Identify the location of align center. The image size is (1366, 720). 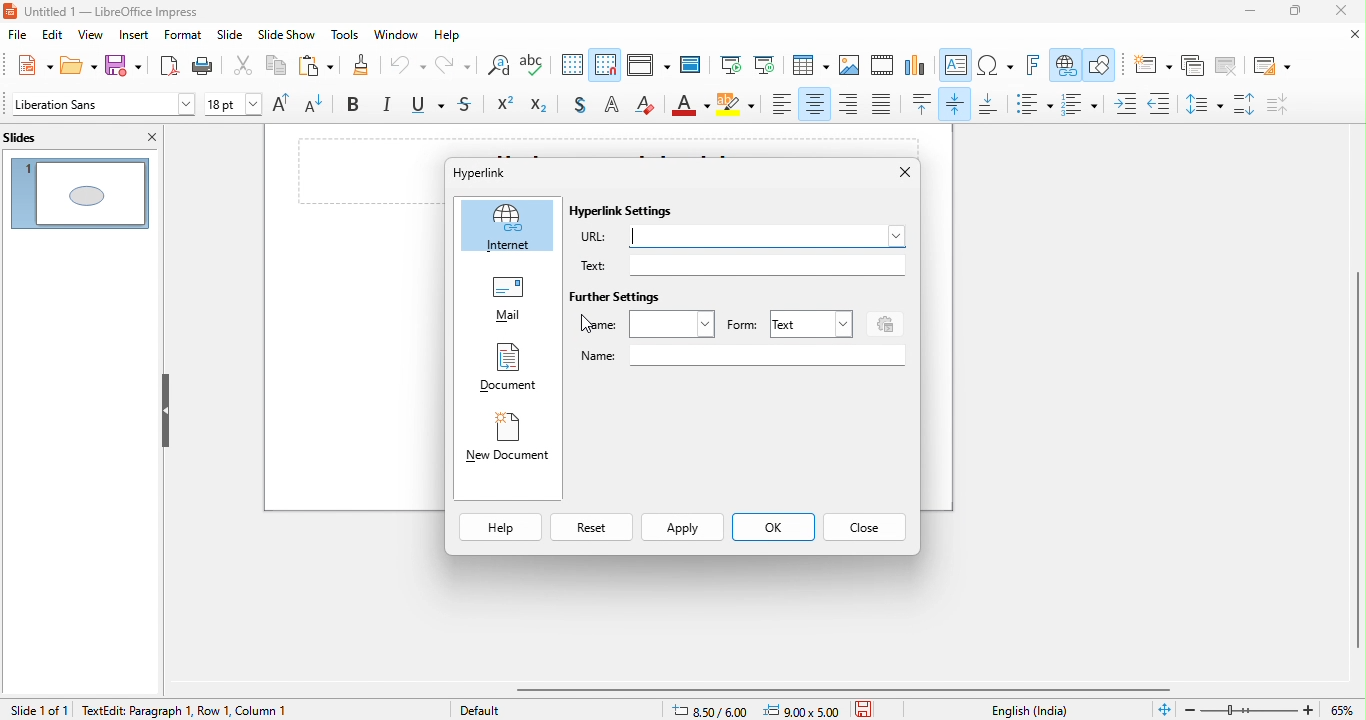
(815, 104).